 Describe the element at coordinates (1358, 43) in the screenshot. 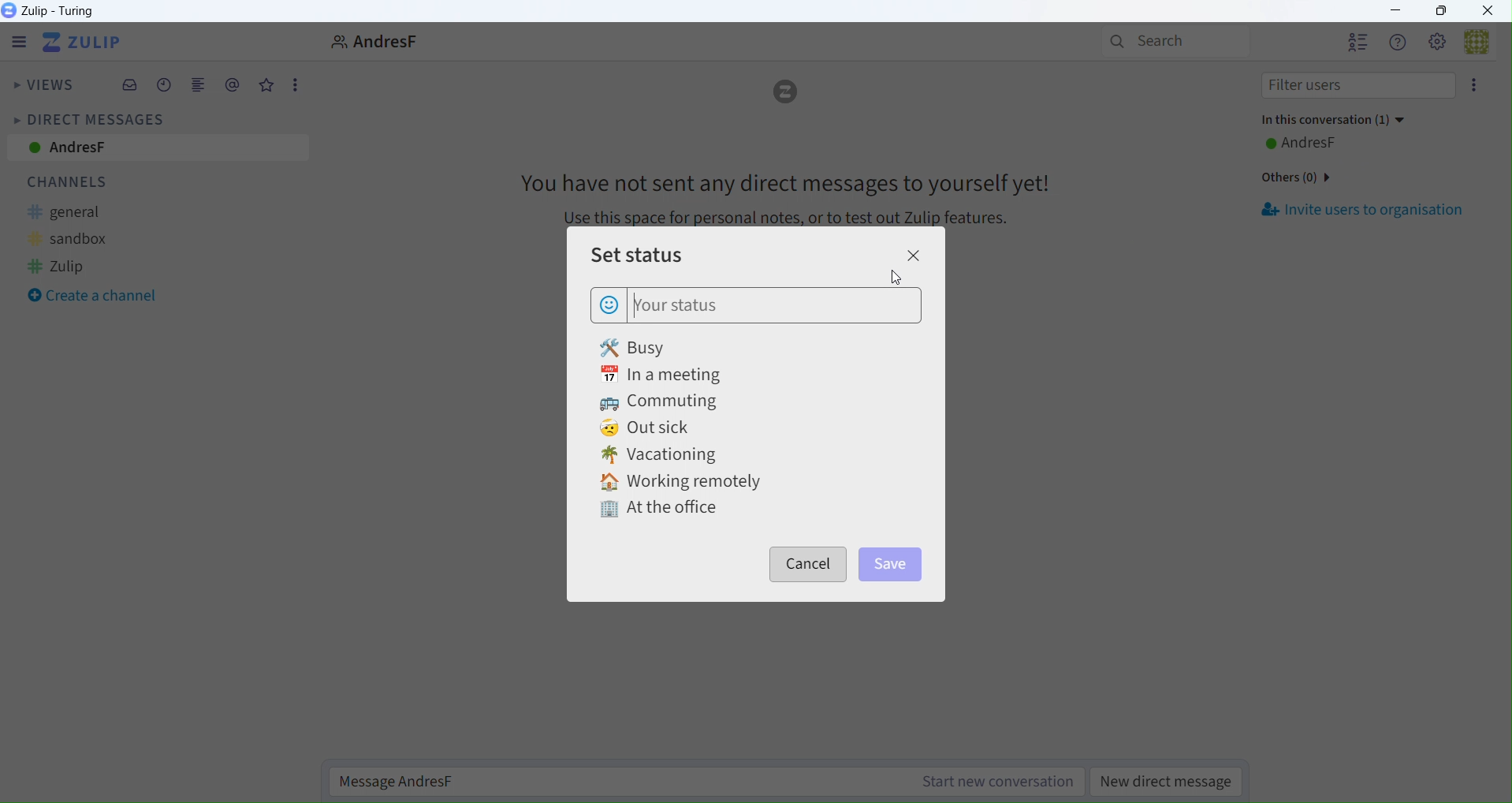

I see `Users` at that location.